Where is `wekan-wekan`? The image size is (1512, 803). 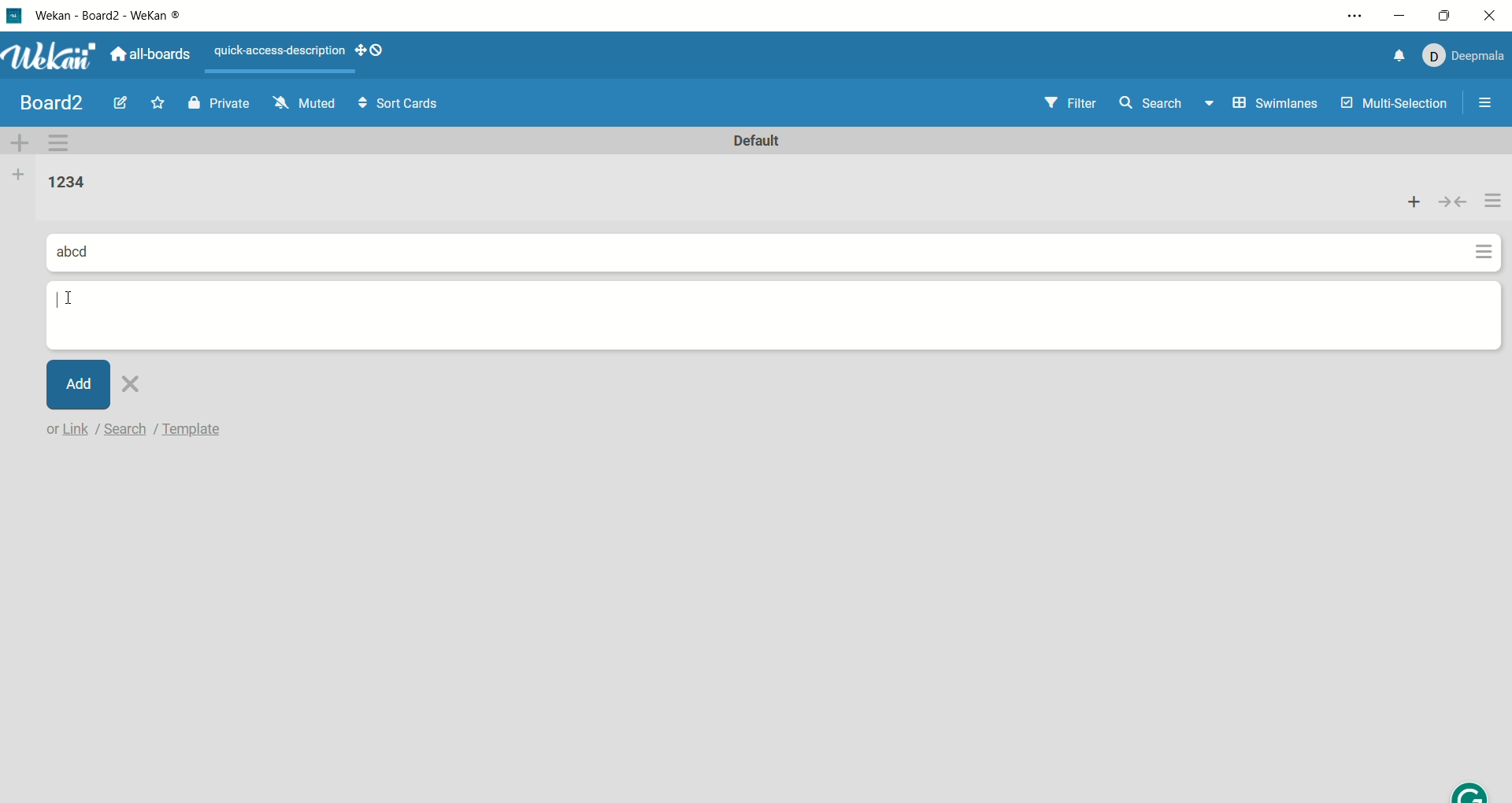
wekan-wekan is located at coordinates (114, 17).